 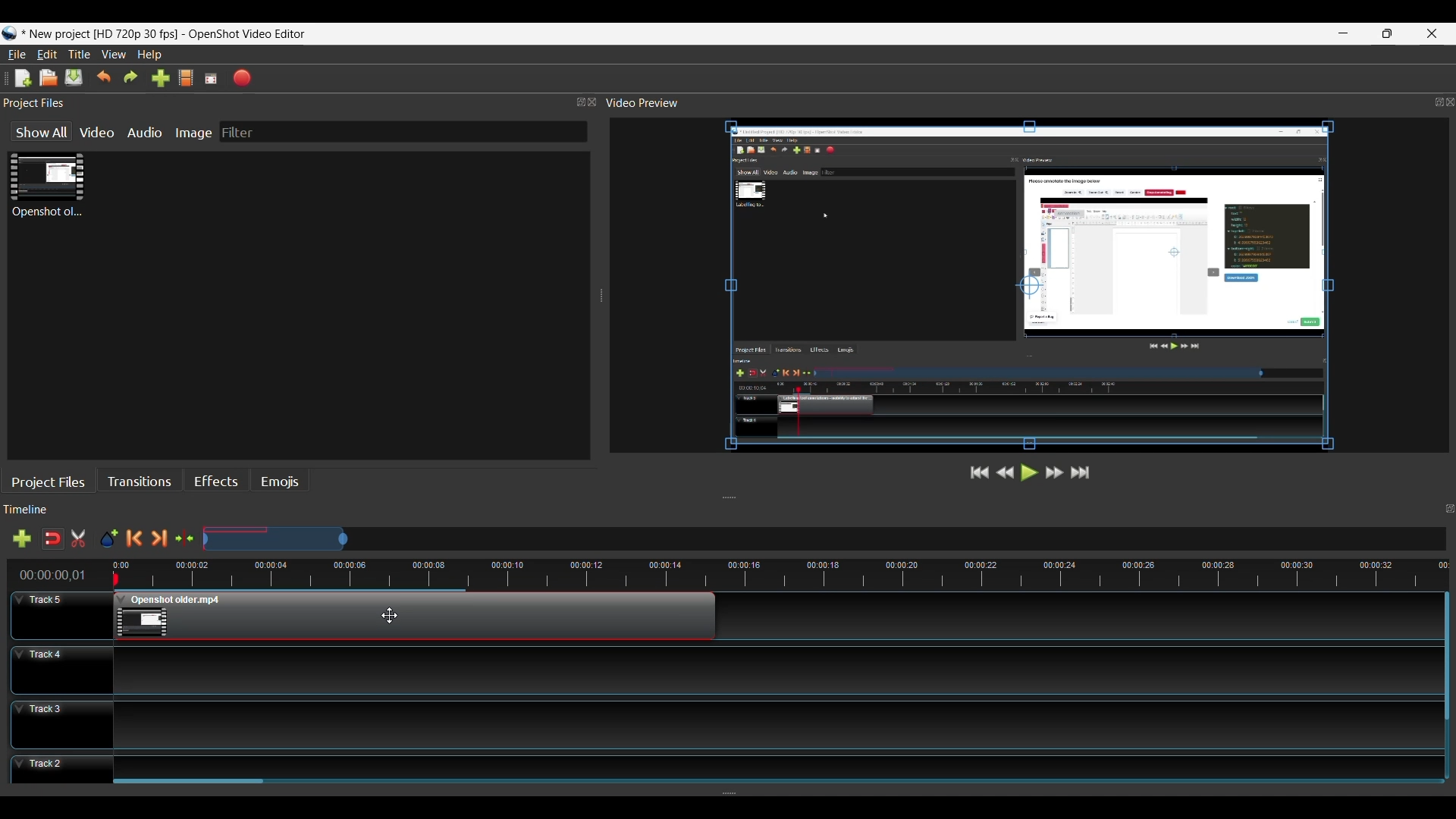 What do you see at coordinates (143, 134) in the screenshot?
I see `Audio` at bounding box center [143, 134].